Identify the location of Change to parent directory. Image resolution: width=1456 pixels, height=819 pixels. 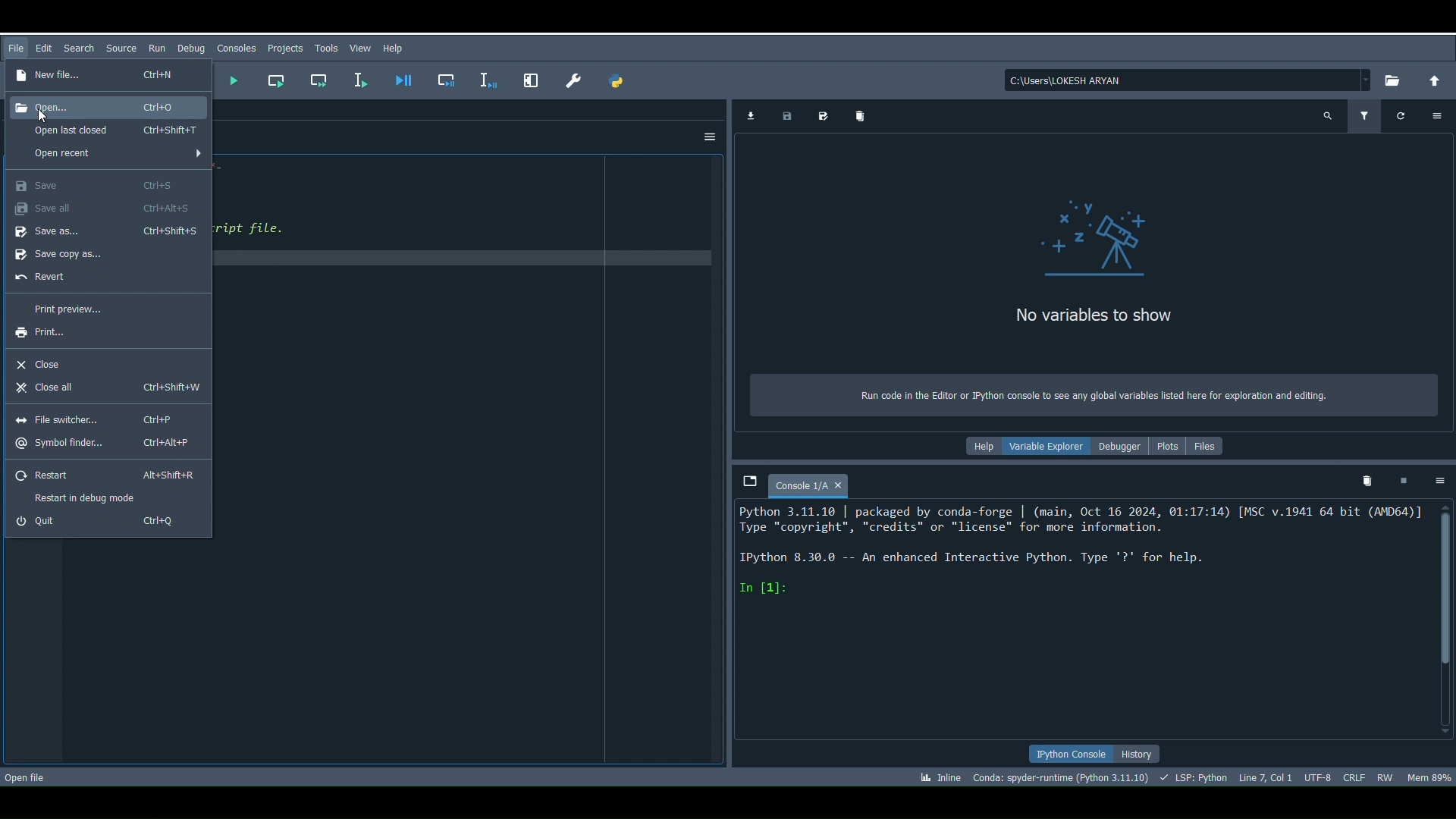
(1433, 80).